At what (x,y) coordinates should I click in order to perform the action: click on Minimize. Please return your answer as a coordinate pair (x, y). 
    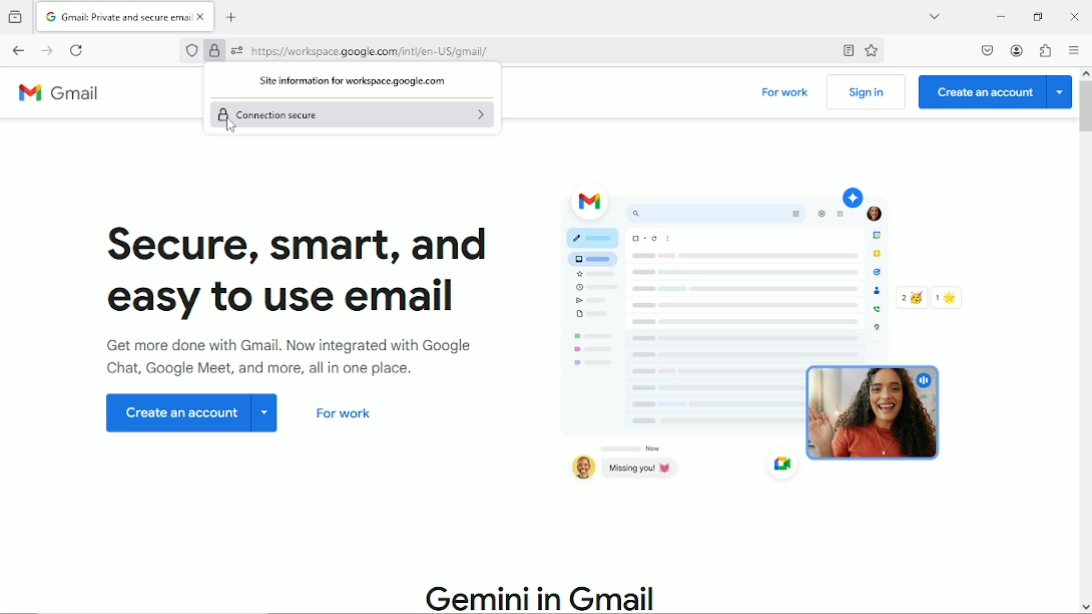
    Looking at the image, I should click on (999, 15).